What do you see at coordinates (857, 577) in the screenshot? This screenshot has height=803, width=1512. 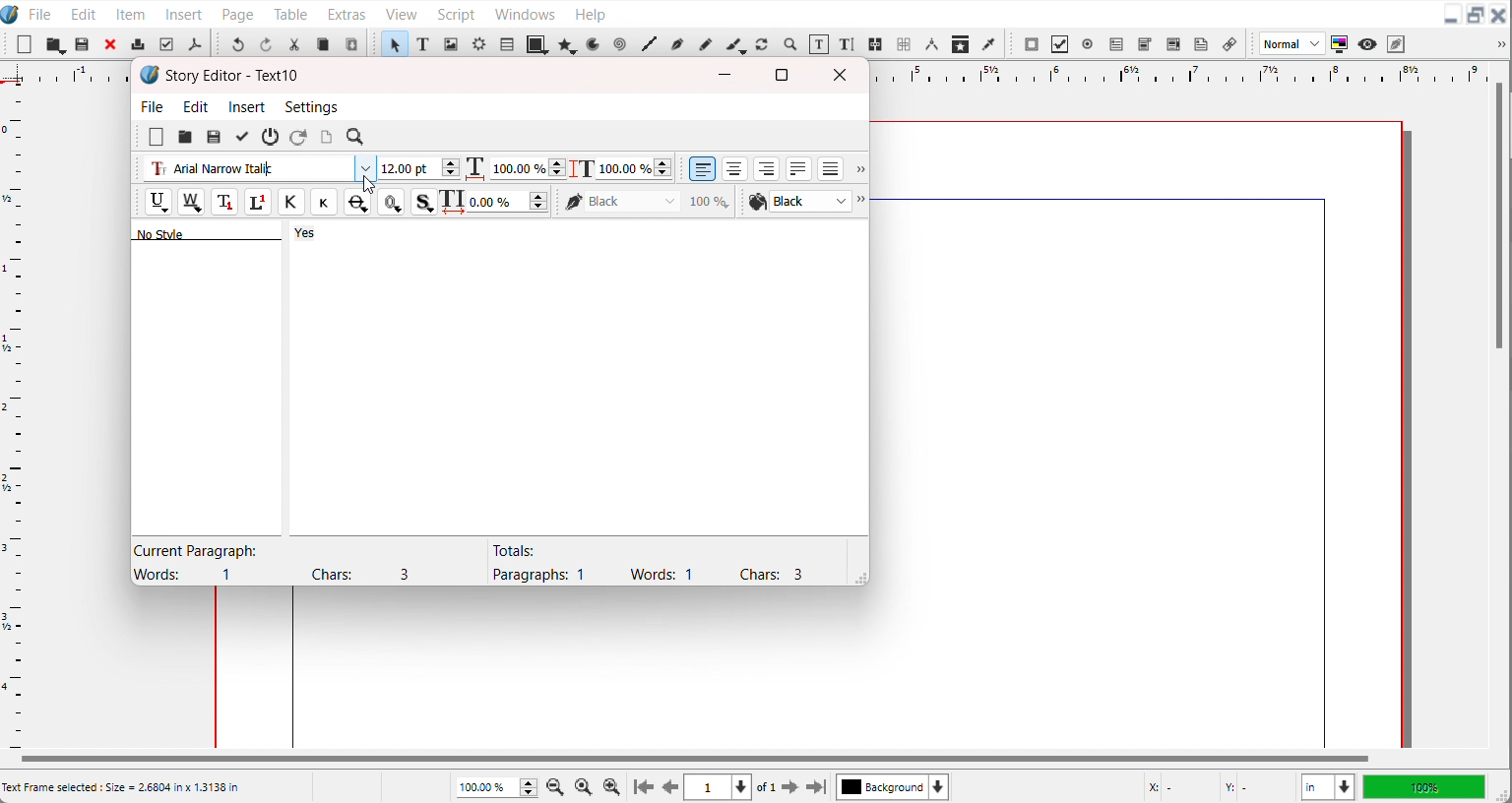 I see `Window adjuster` at bounding box center [857, 577].